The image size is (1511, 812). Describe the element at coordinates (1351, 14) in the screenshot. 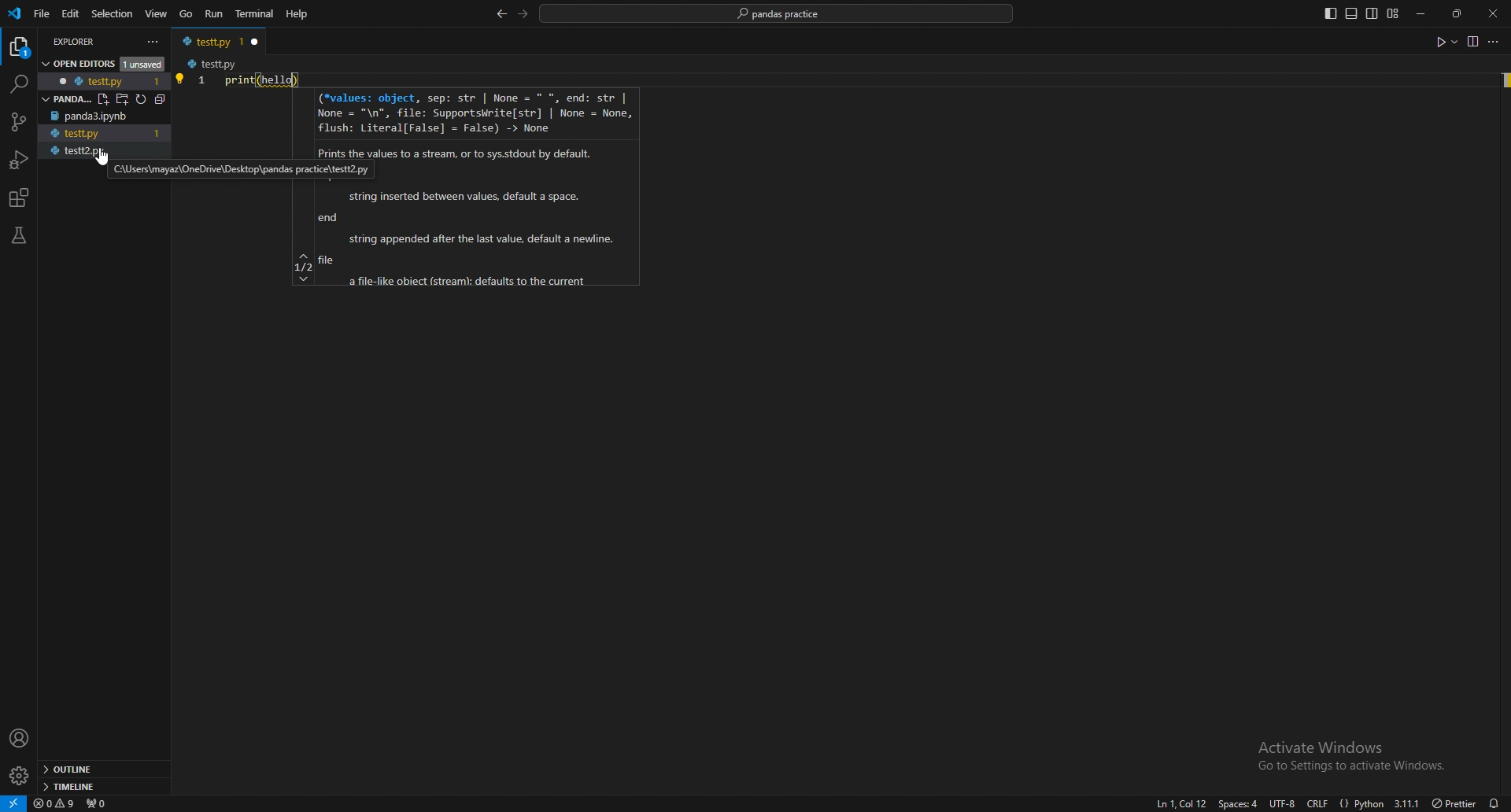

I see `toggle panel` at that location.